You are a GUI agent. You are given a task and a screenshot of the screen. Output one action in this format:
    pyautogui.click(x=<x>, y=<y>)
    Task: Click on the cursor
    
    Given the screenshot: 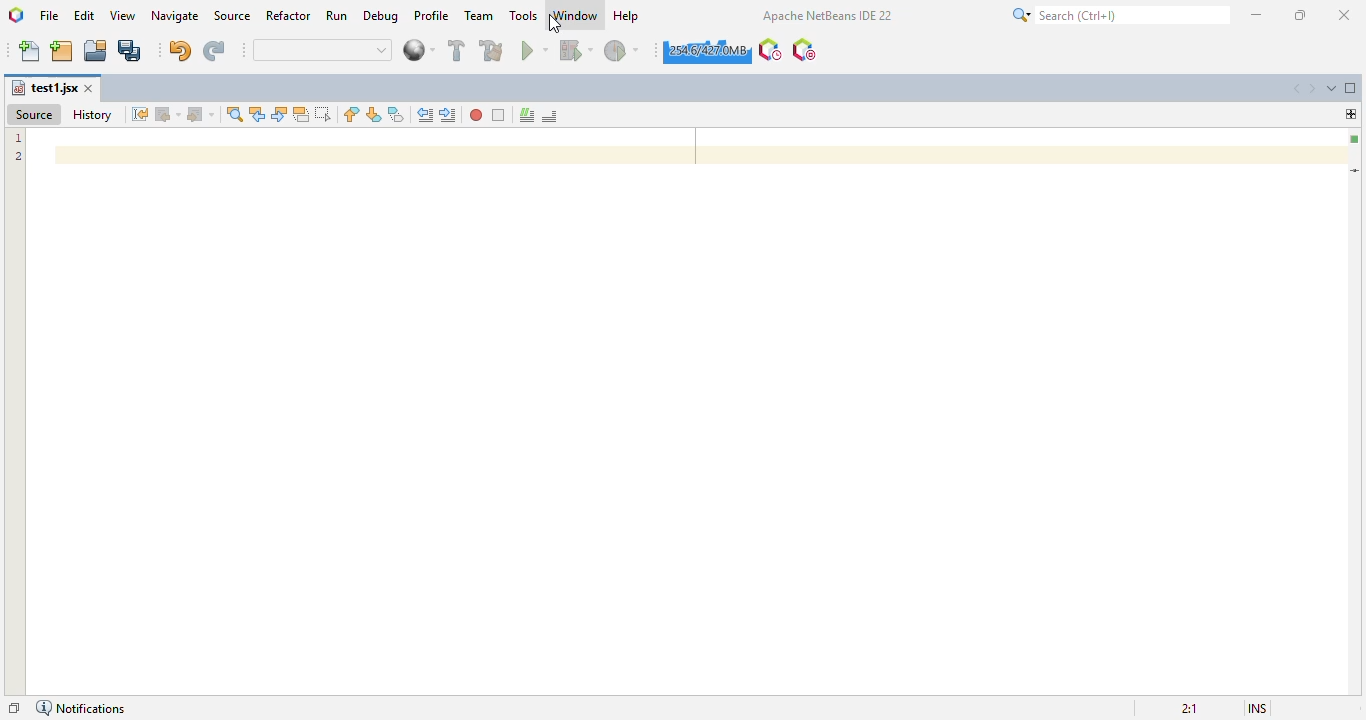 What is the action you would take?
    pyautogui.click(x=554, y=24)
    